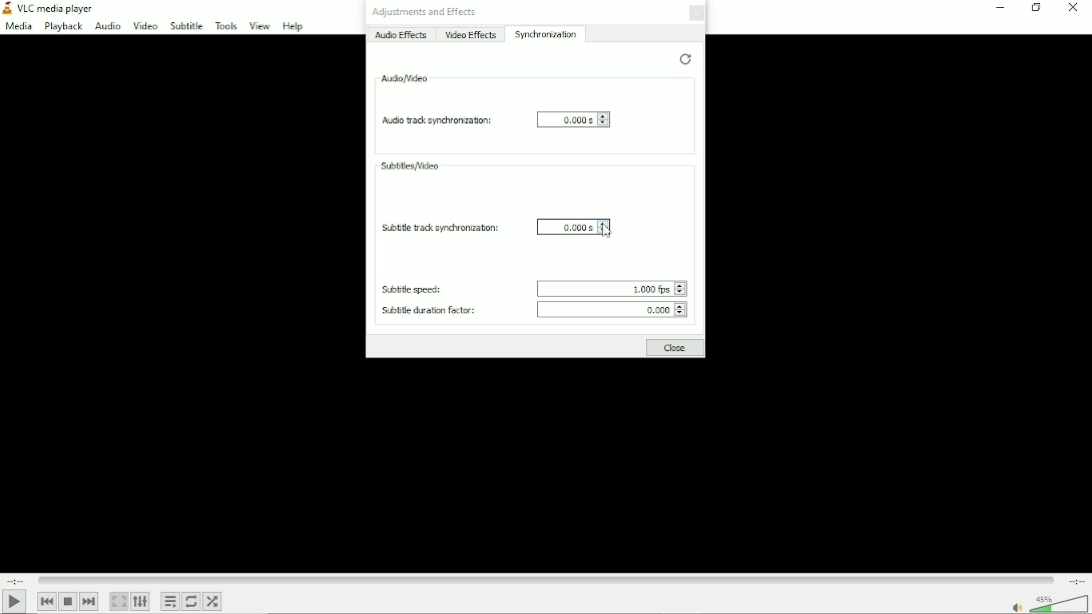 This screenshot has width=1092, height=614. I want to click on Close, so click(1075, 8).